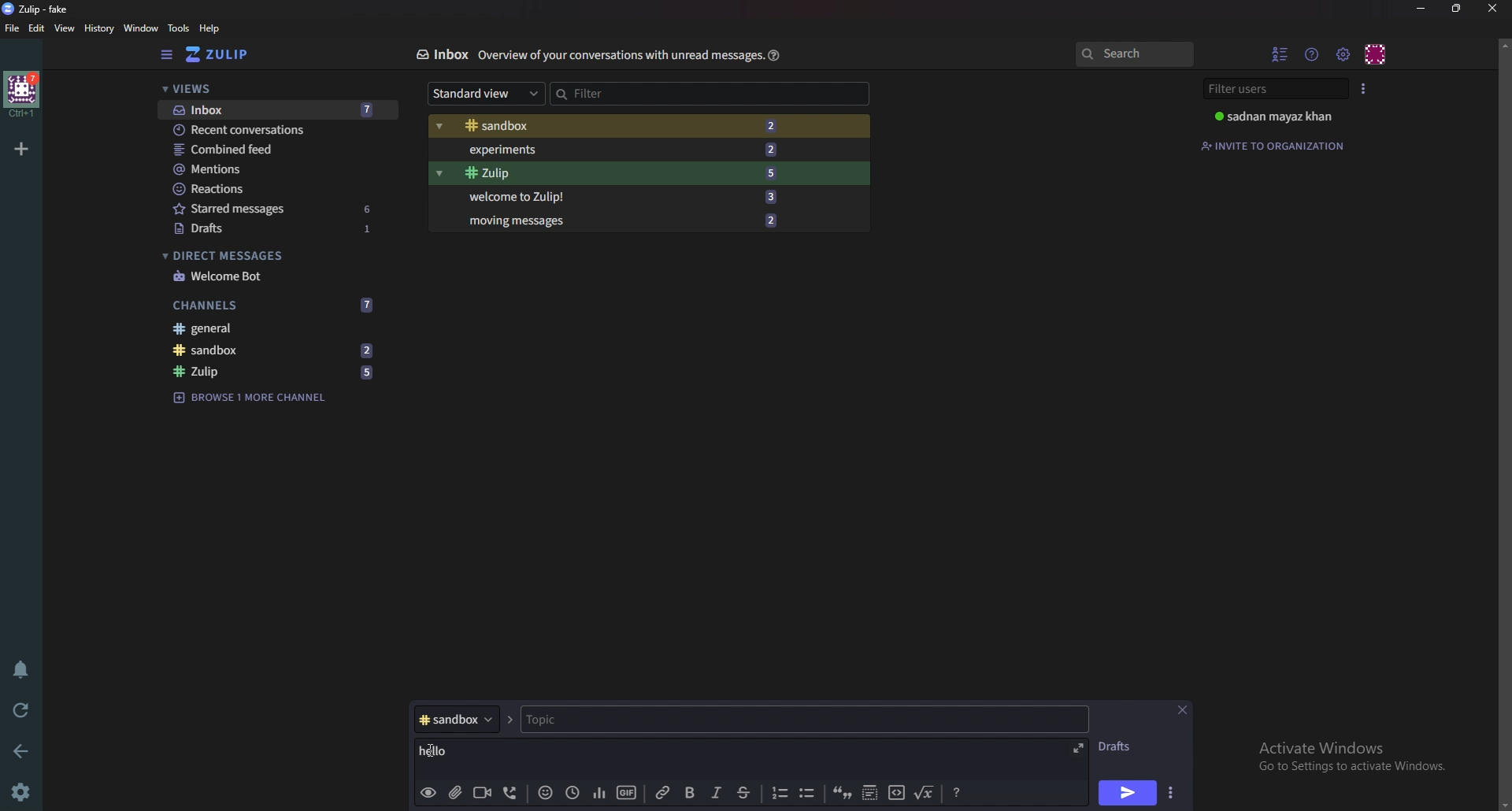  I want to click on Reload, so click(24, 709).